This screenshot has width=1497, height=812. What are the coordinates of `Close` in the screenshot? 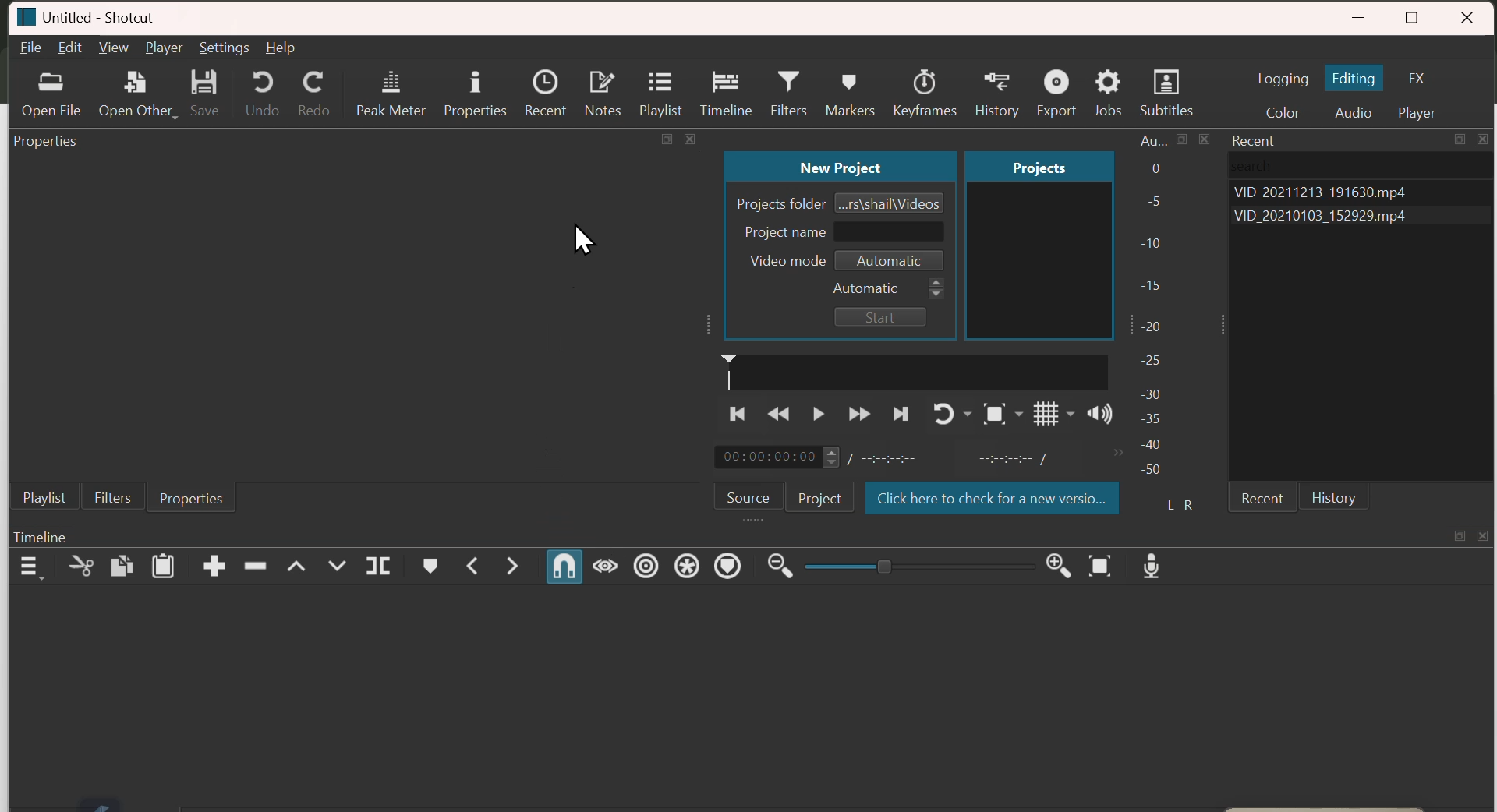 It's located at (1205, 139).